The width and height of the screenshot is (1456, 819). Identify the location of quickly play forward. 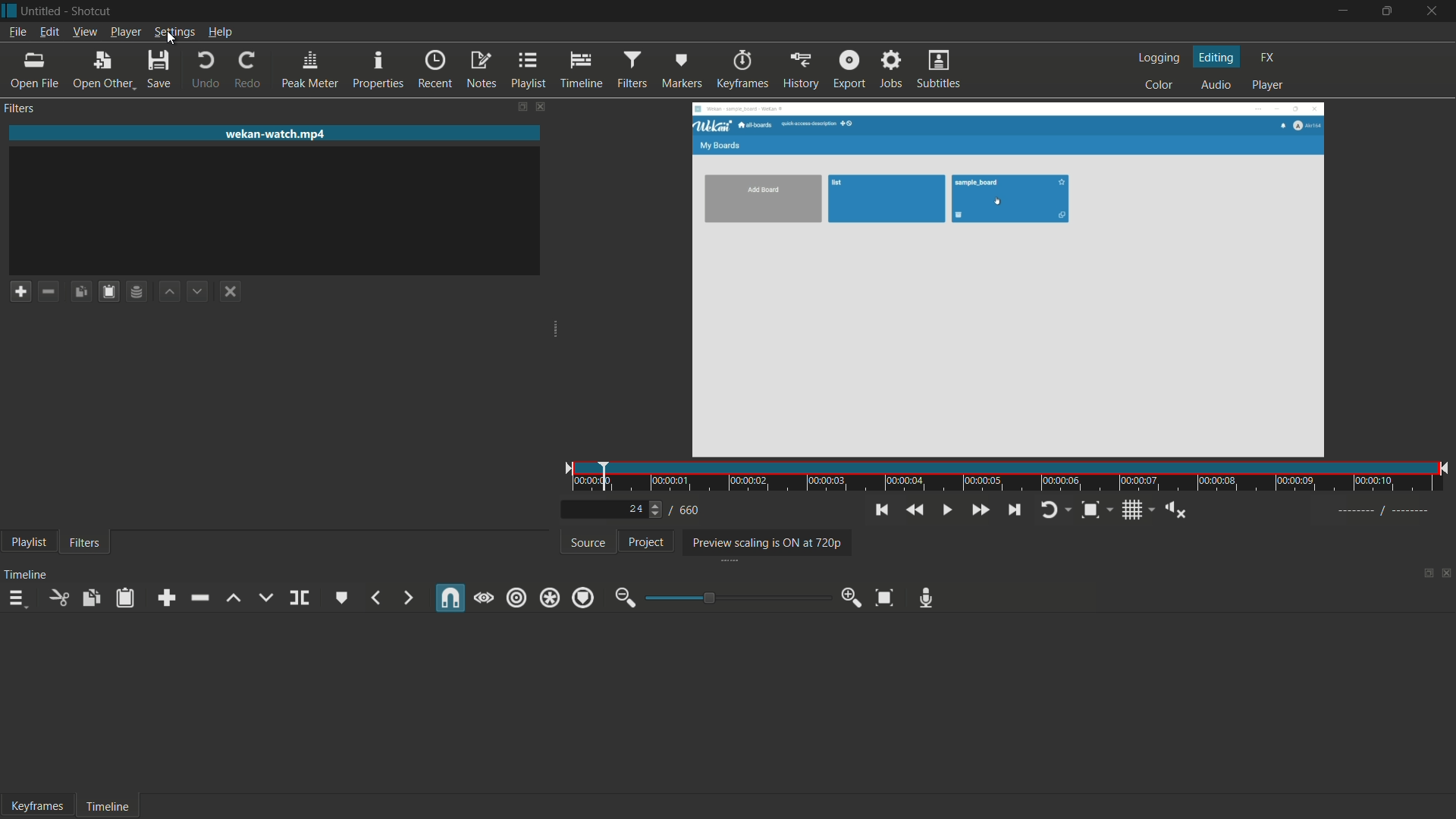
(980, 510).